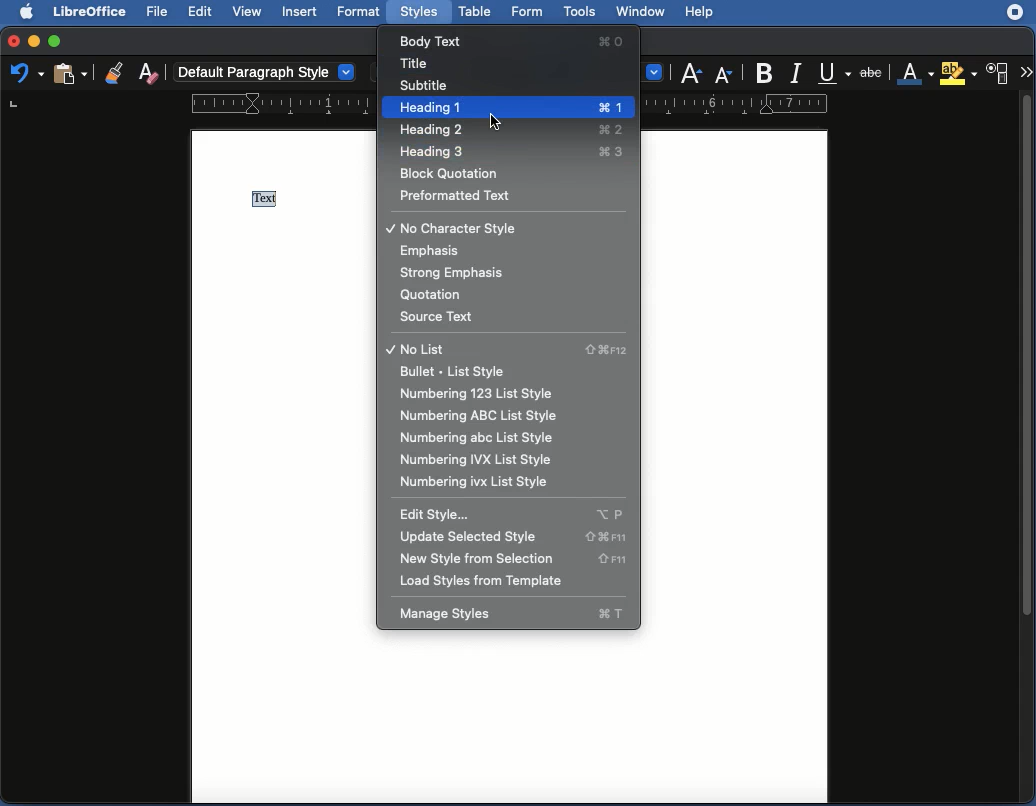  Describe the element at coordinates (476, 438) in the screenshot. I see `numbering abc list style` at that location.